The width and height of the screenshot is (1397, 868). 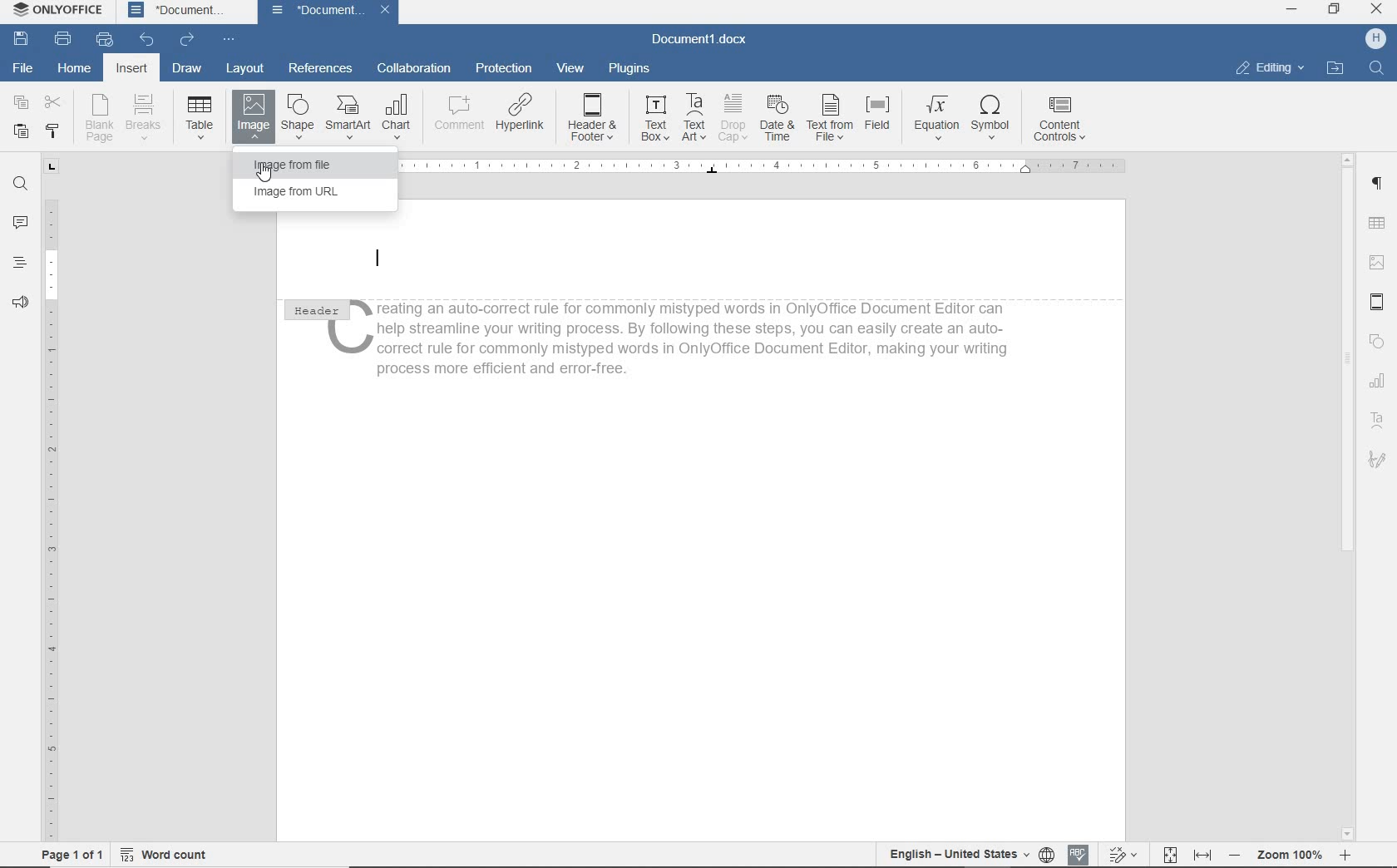 What do you see at coordinates (575, 69) in the screenshot?
I see `VIEW` at bounding box center [575, 69].